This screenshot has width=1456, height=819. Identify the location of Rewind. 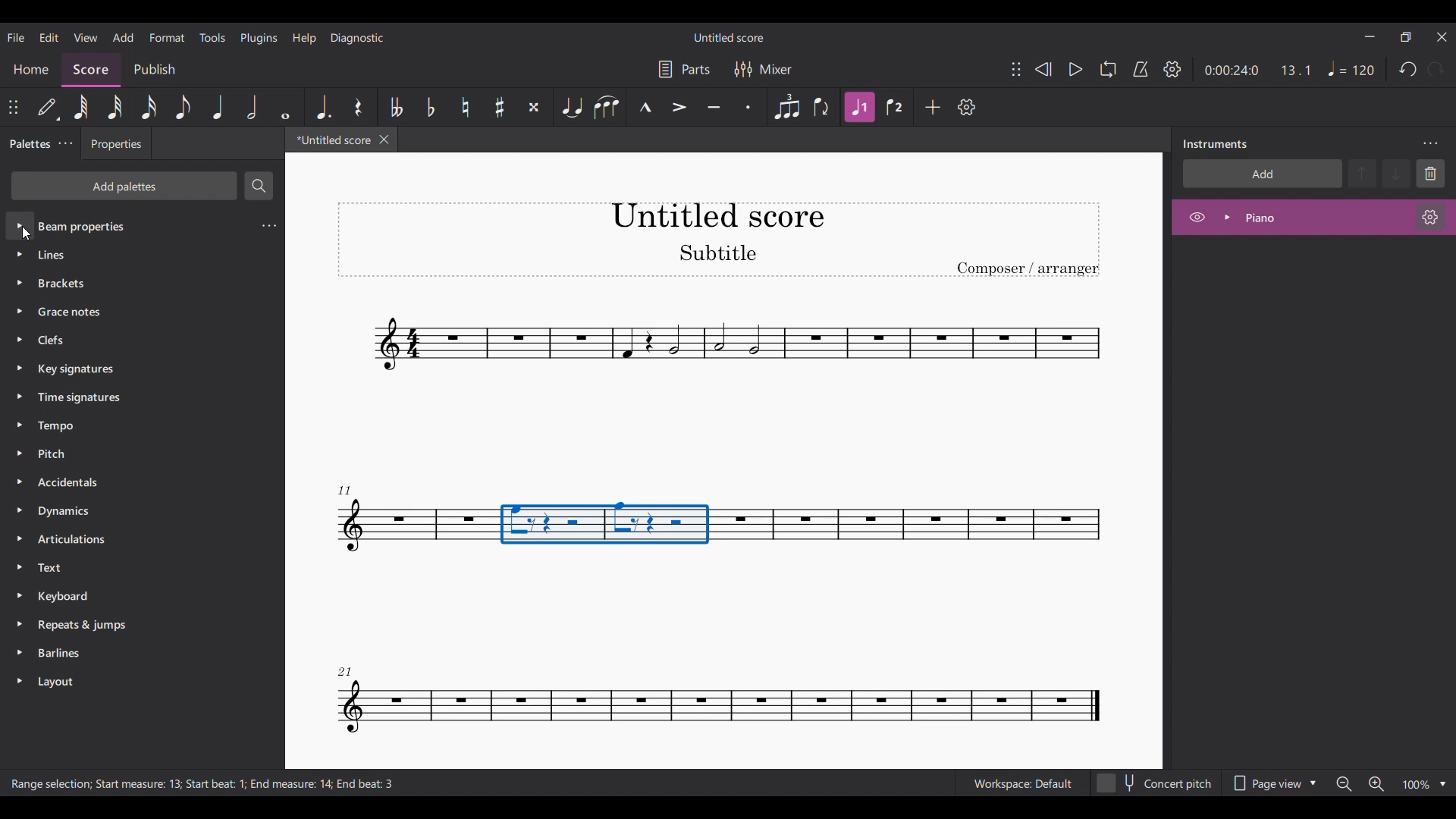
(1043, 69).